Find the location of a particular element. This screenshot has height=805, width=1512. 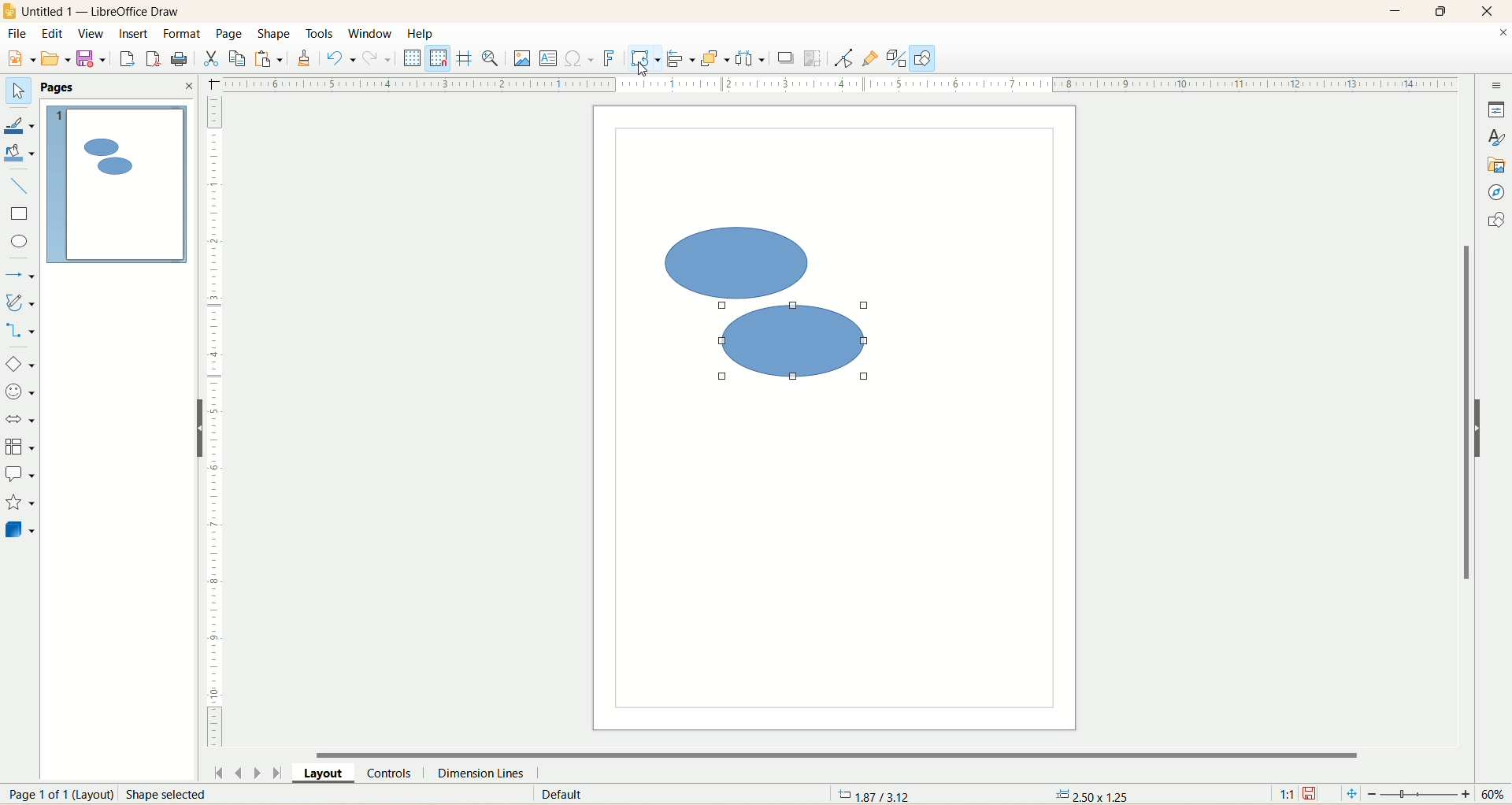

snap to grid is located at coordinates (442, 60).